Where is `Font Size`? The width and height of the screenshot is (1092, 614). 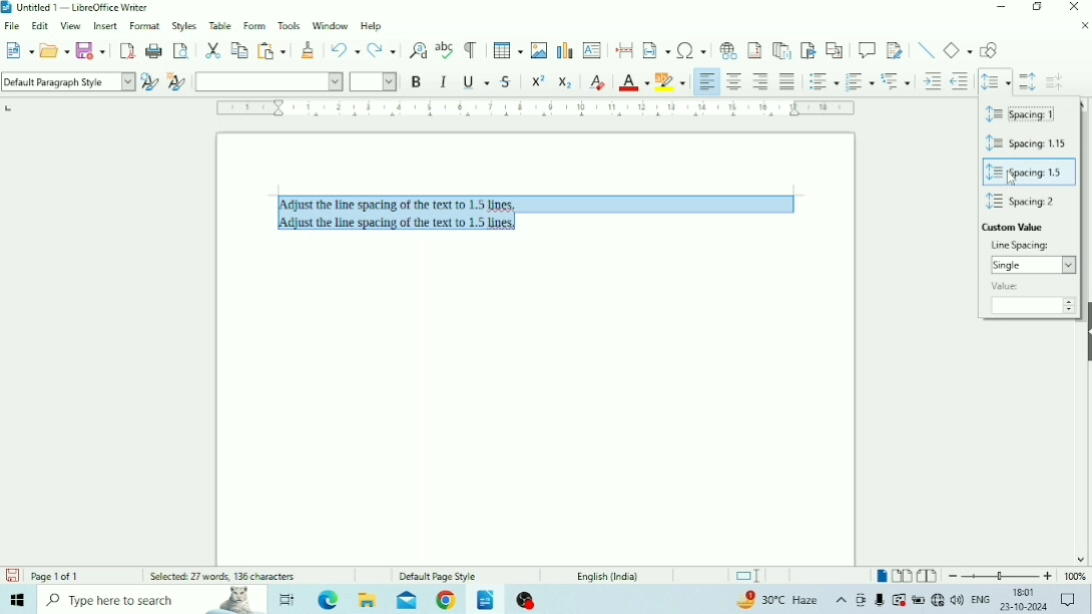 Font Size is located at coordinates (373, 81).